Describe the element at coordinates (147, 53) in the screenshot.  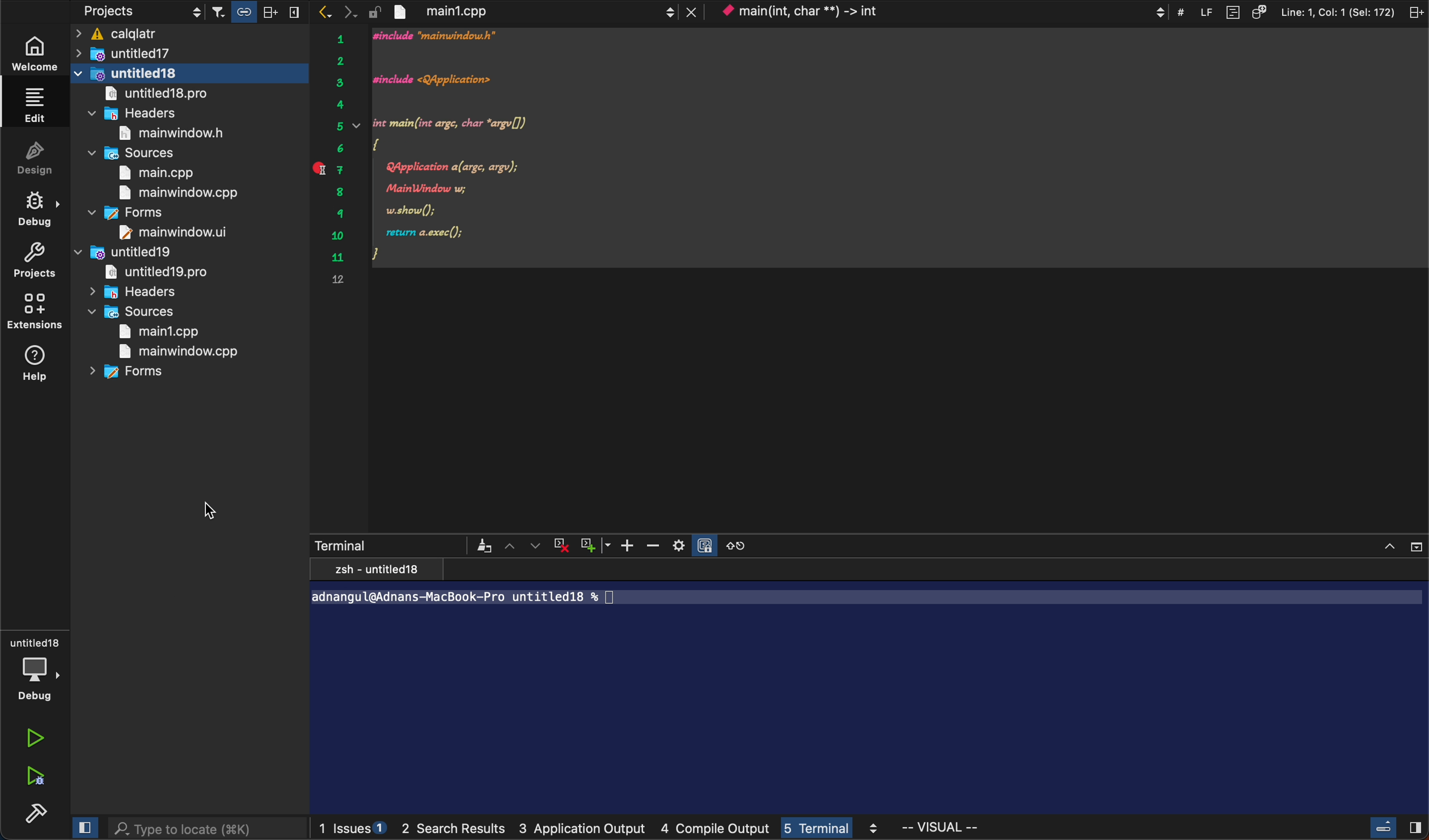
I see `untitled 17` at that location.